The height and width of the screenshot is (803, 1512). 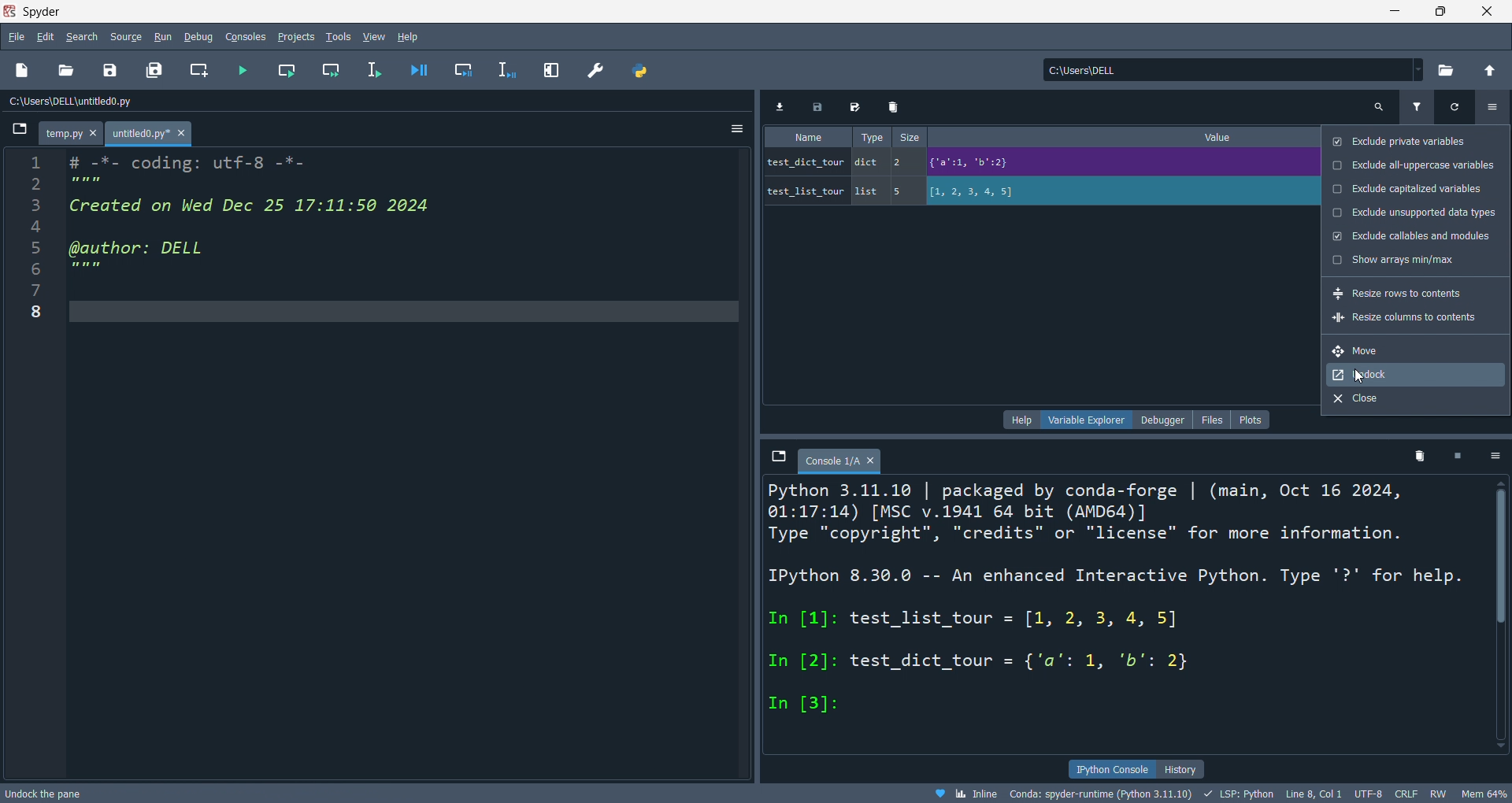 I want to click on run file, so click(x=240, y=68).